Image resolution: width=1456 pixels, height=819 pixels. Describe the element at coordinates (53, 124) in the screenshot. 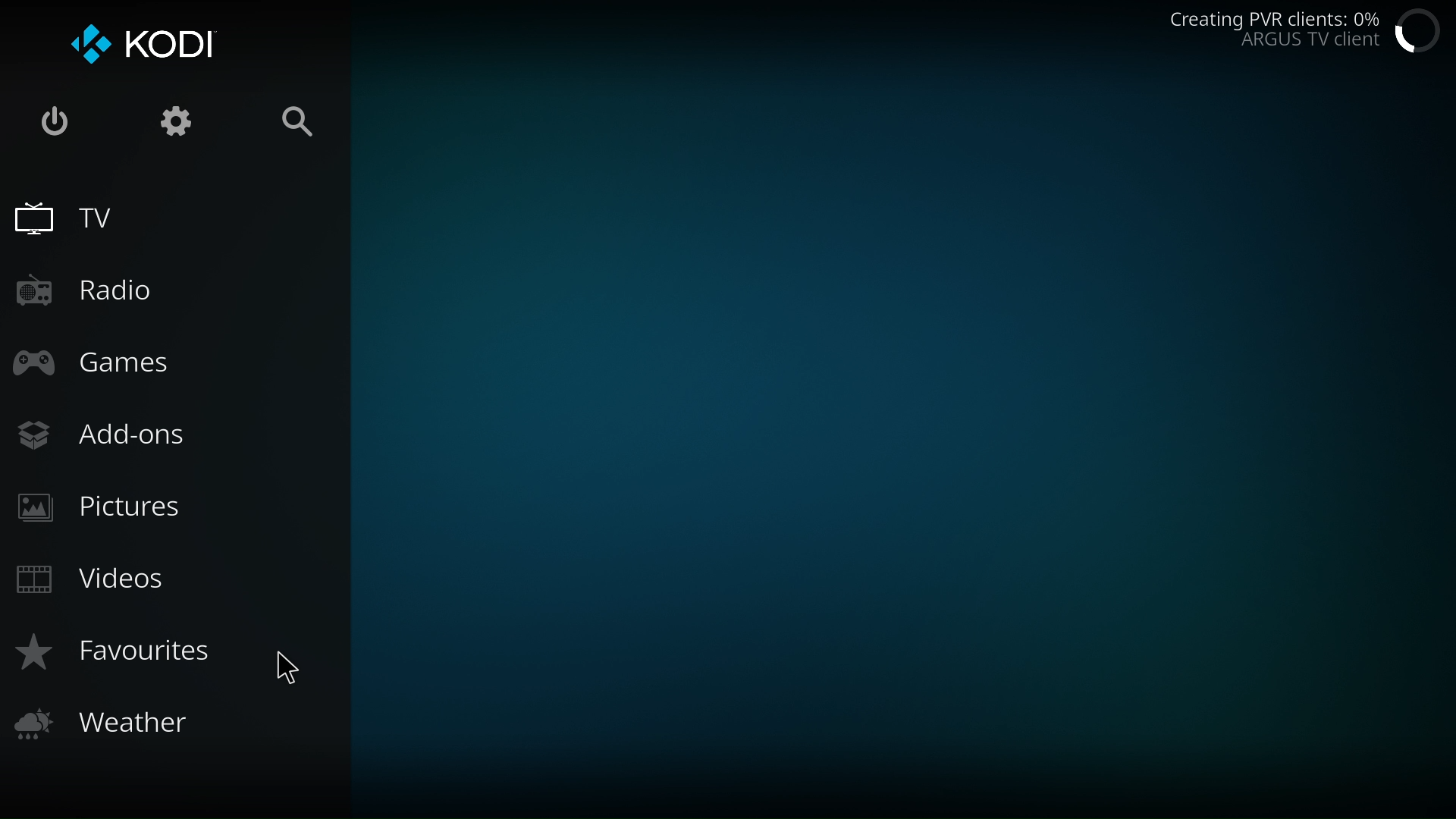

I see `exit` at that location.